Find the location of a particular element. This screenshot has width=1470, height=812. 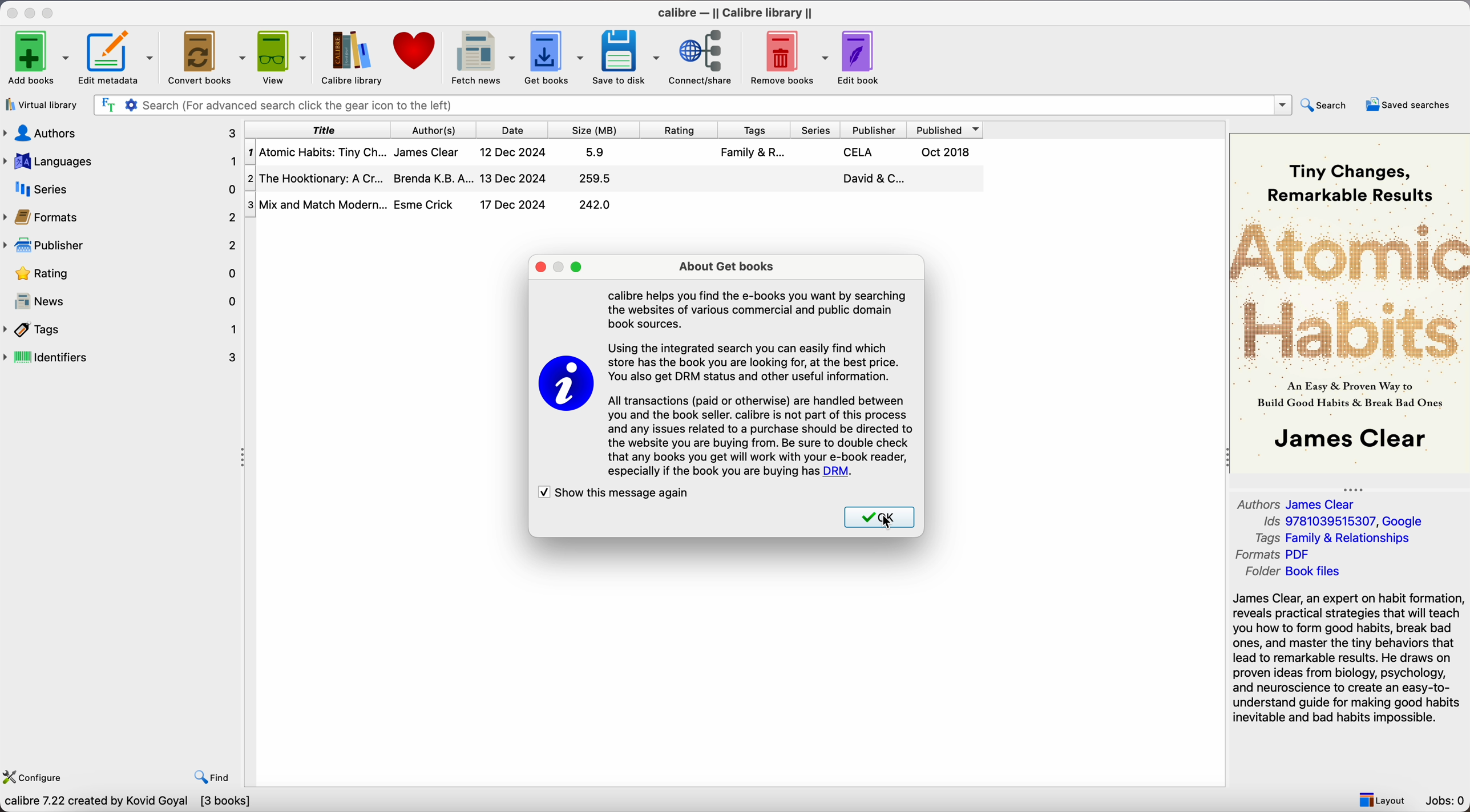

find is located at coordinates (215, 778).